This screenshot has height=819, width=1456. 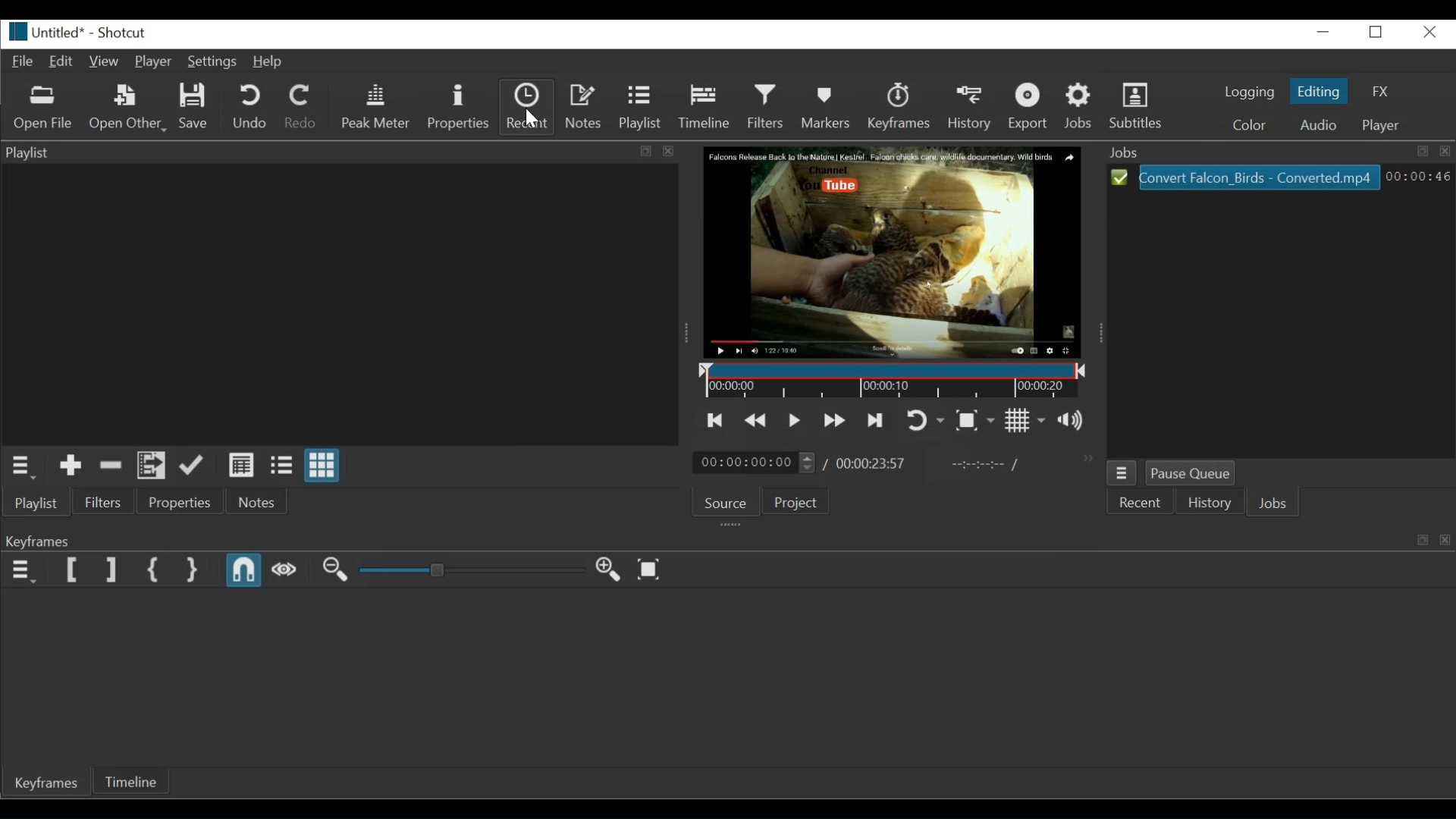 I want to click on Adjust Zoom Keyframe, so click(x=476, y=570).